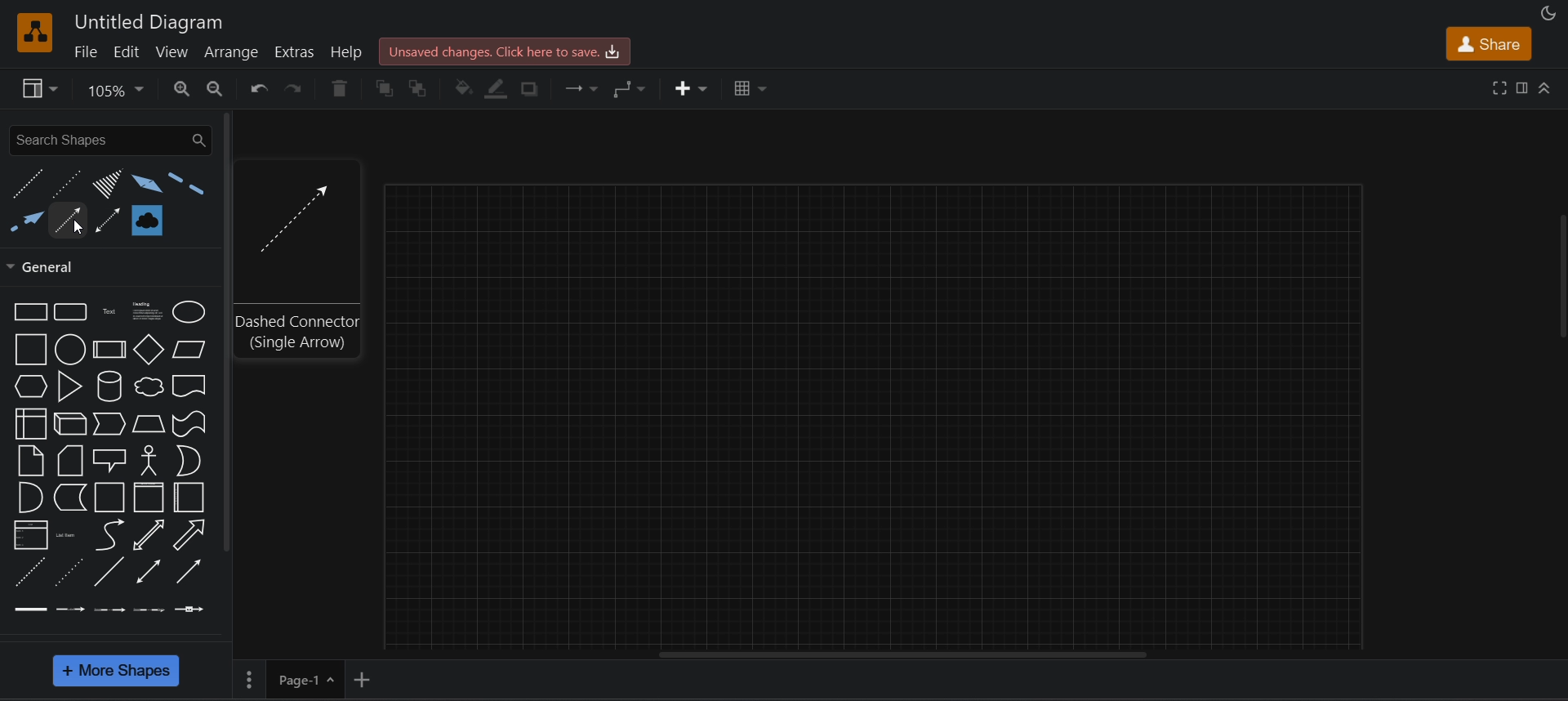 The image size is (1568, 701). I want to click on hexagon, so click(30, 386).